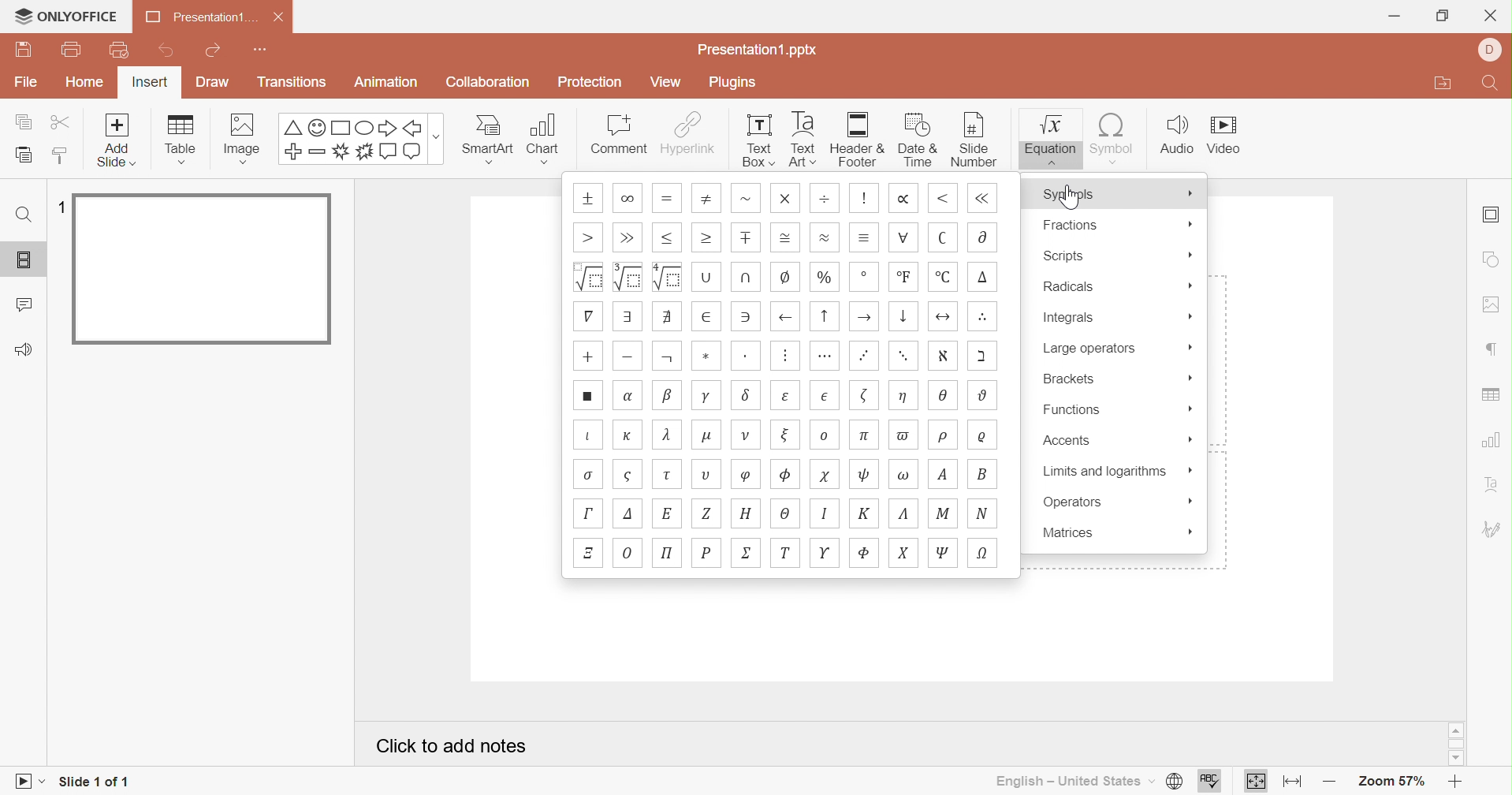 The height and width of the screenshot is (795, 1512). What do you see at coordinates (27, 349) in the screenshot?
I see `Feedback and support` at bounding box center [27, 349].